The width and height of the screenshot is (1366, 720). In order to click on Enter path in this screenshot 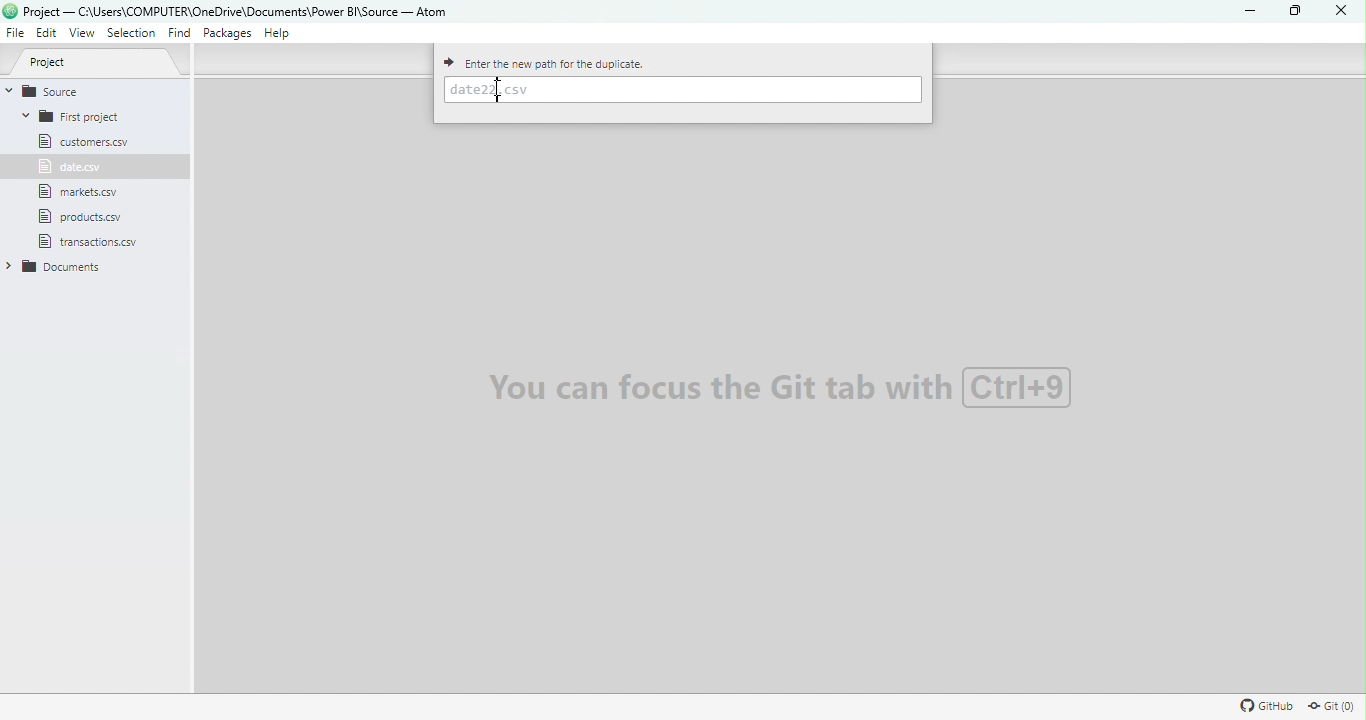, I will do `click(683, 90)`.